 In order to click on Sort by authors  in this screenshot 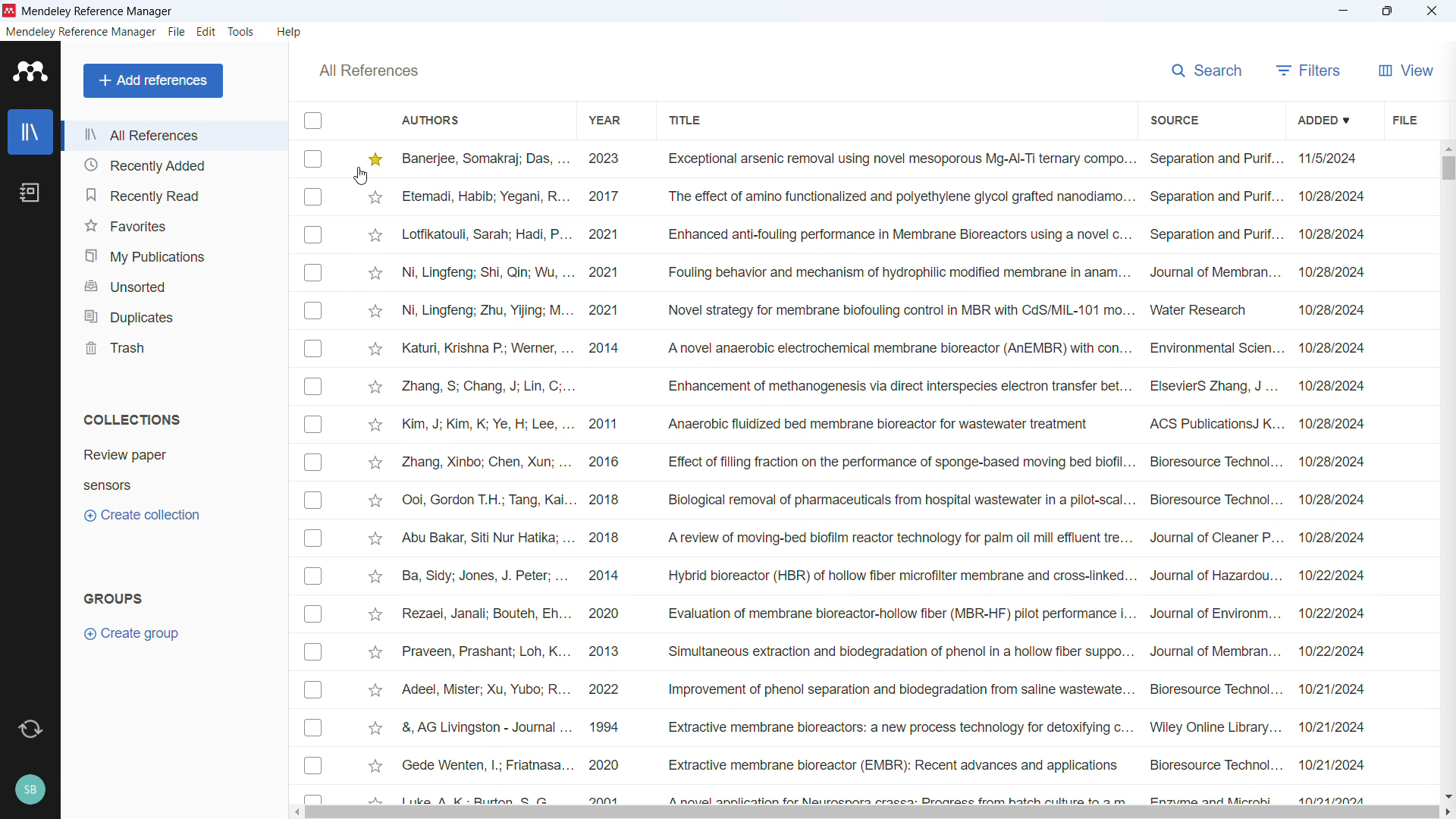, I will do `click(438, 119)`.